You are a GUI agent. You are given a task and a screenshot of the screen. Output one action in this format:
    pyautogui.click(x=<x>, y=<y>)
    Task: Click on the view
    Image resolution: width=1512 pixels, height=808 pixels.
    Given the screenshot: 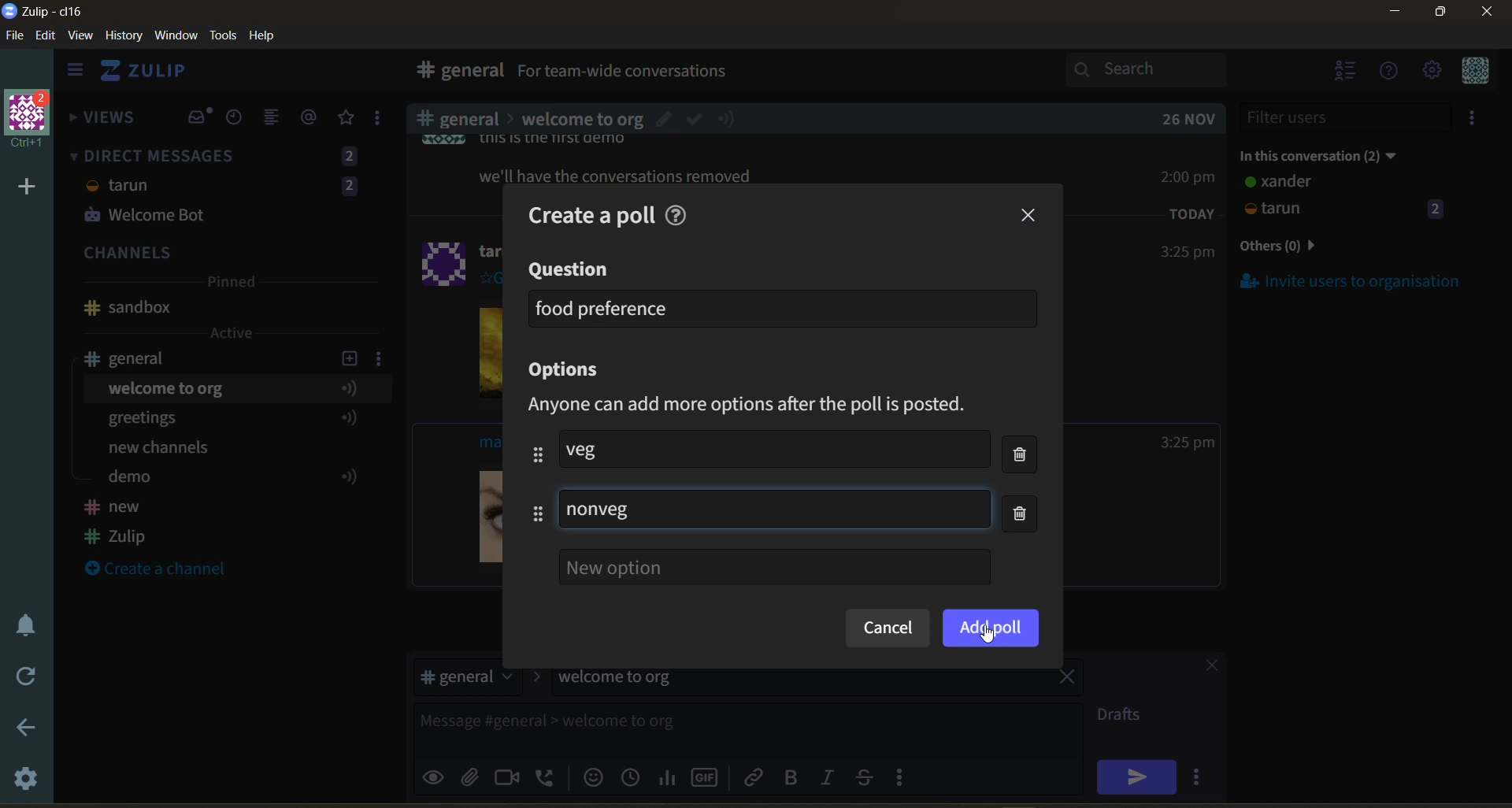 What is the action you would take?
    pyautogui.click(x=81, y=36)
    